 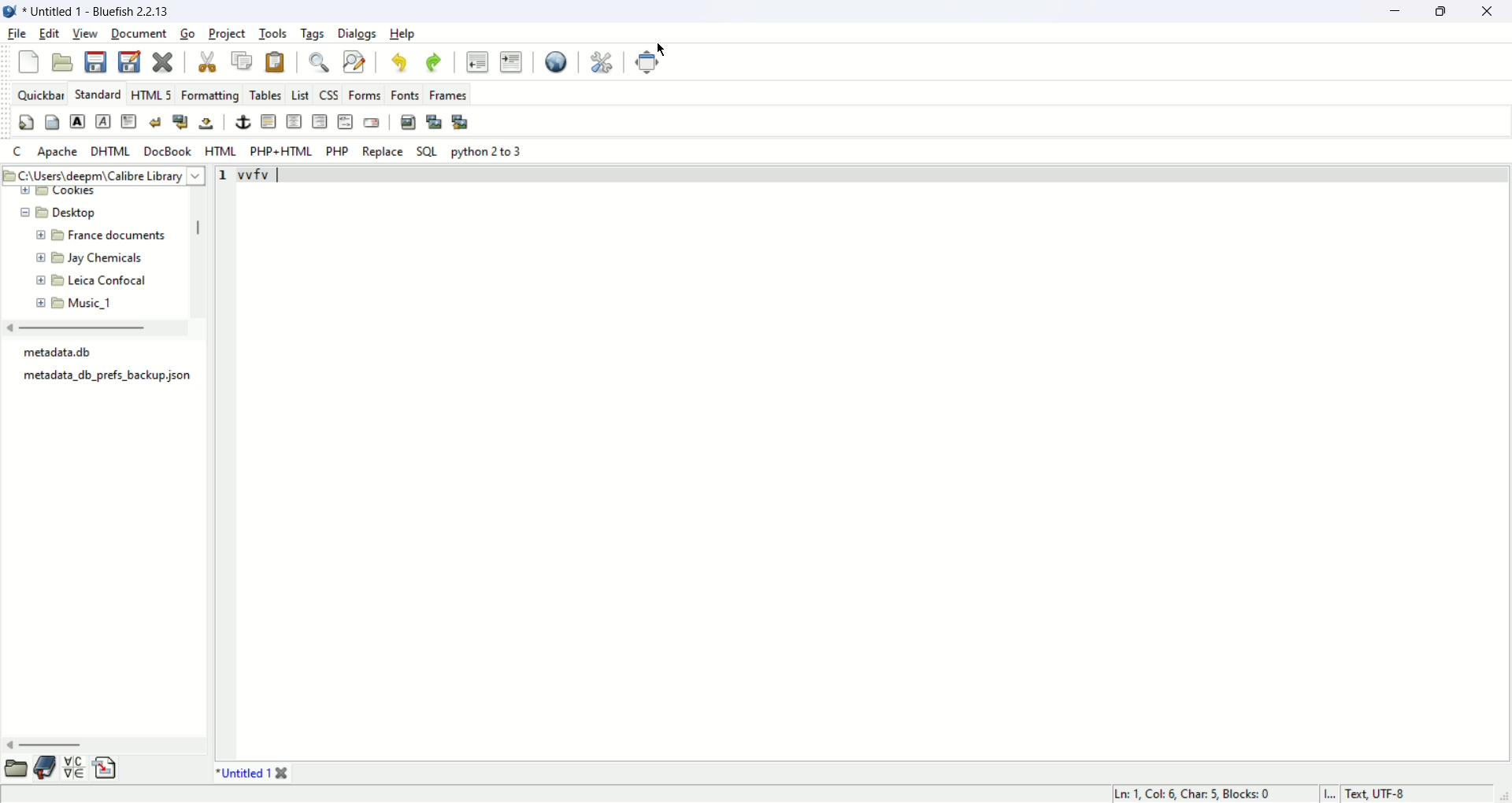 I want to click on fullscreen, so click(x=651, y=64).